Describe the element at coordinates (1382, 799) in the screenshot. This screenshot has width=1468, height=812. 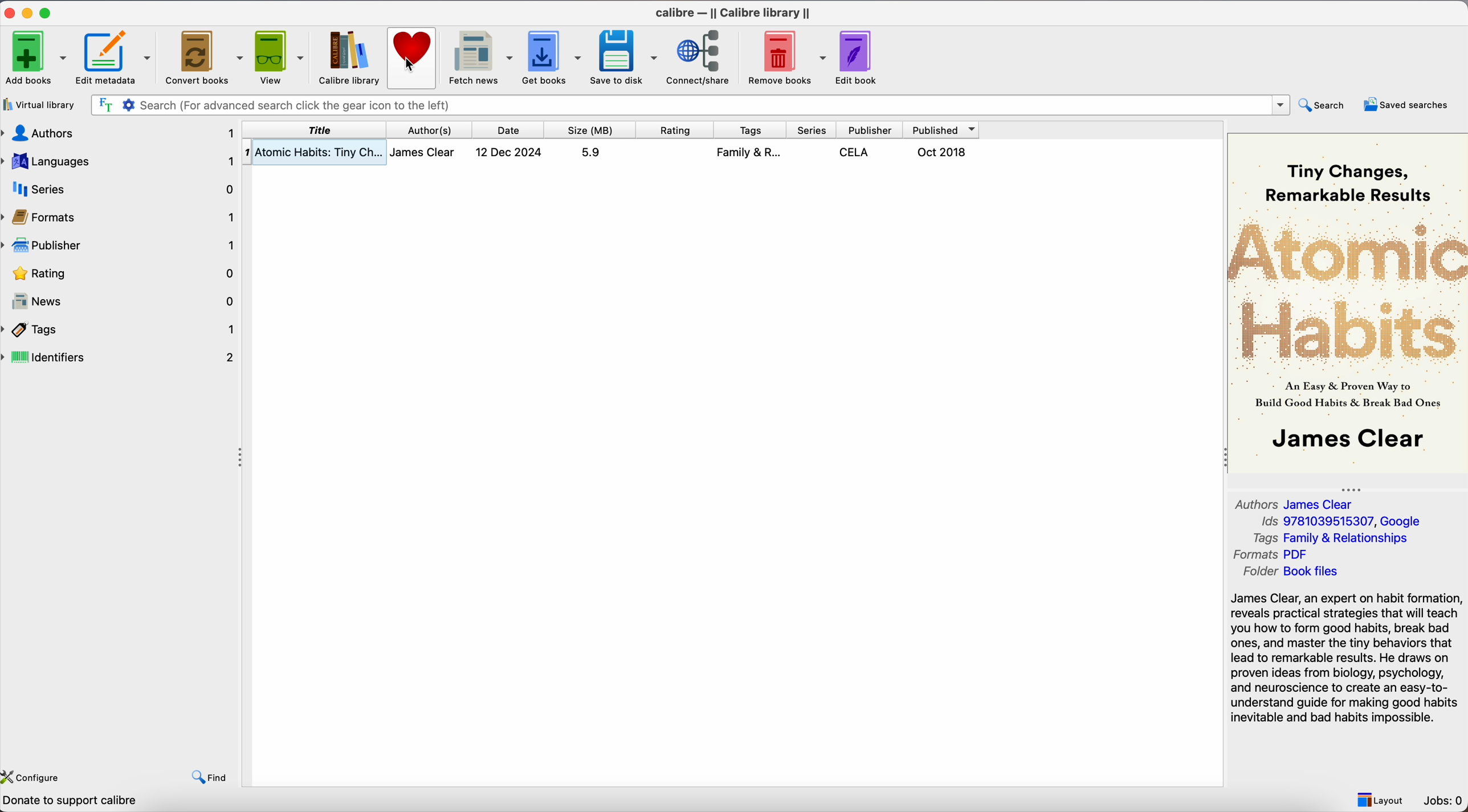
I see `layout` at that location.